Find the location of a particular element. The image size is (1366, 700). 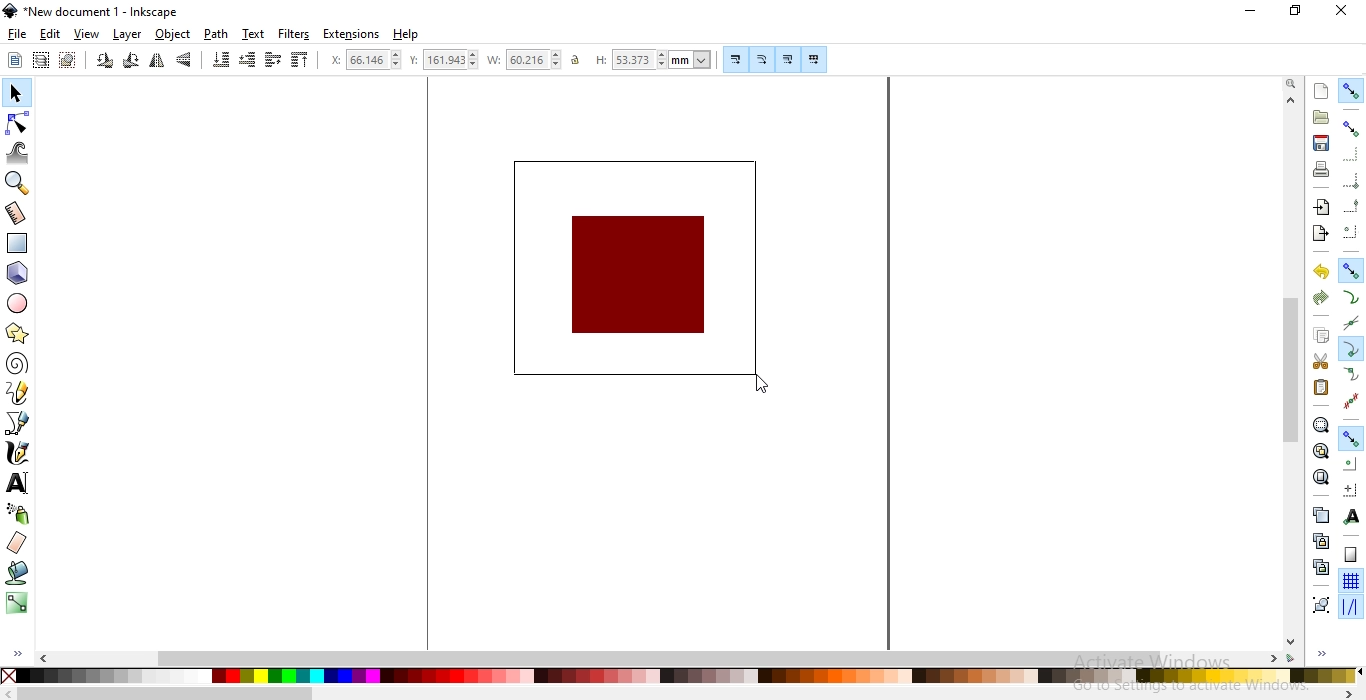

move patterns along with objects is located at coordinates (814, 60).